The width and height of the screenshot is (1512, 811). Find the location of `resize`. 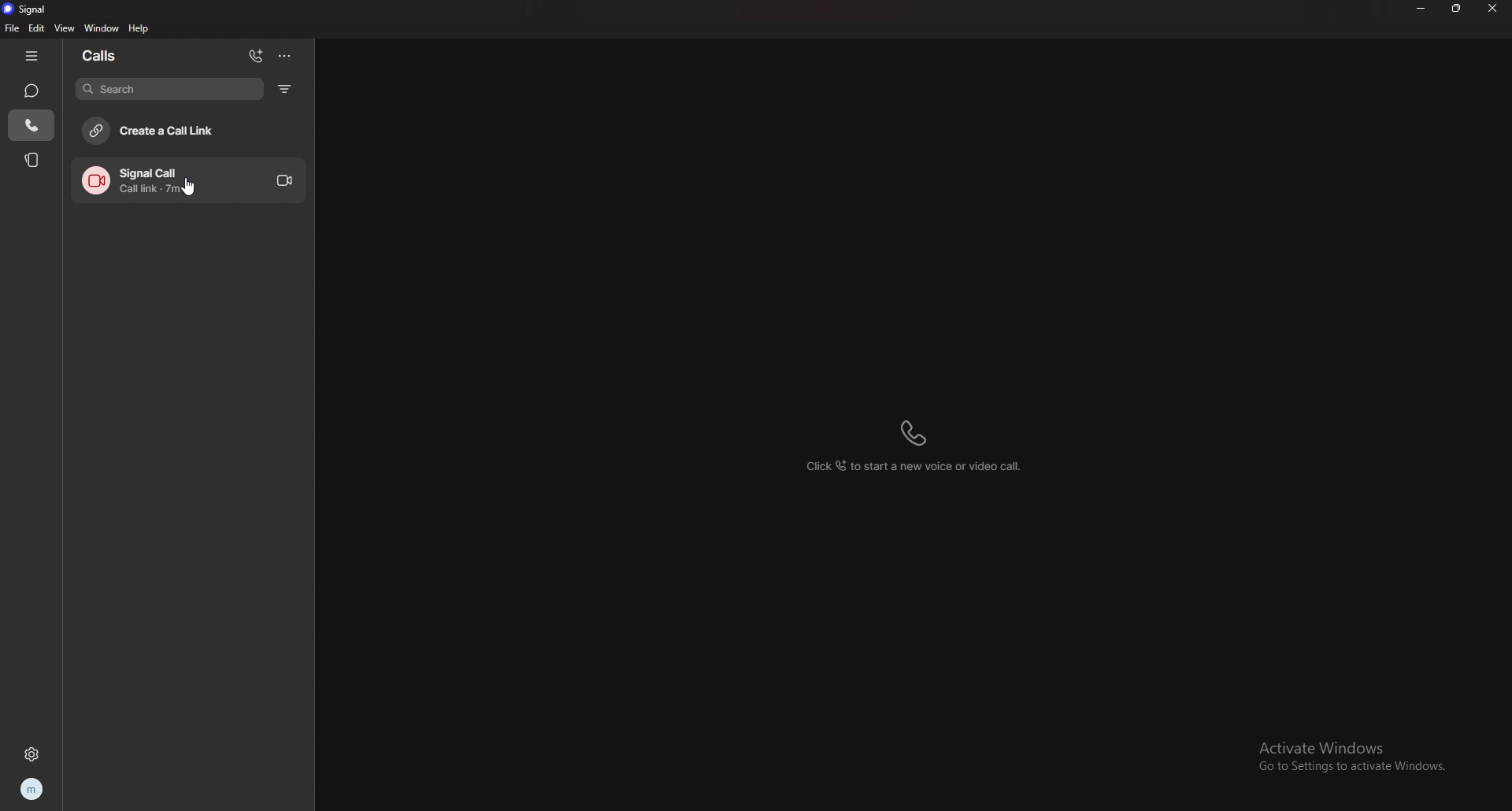

resize is located at coordinates (1458, 8).